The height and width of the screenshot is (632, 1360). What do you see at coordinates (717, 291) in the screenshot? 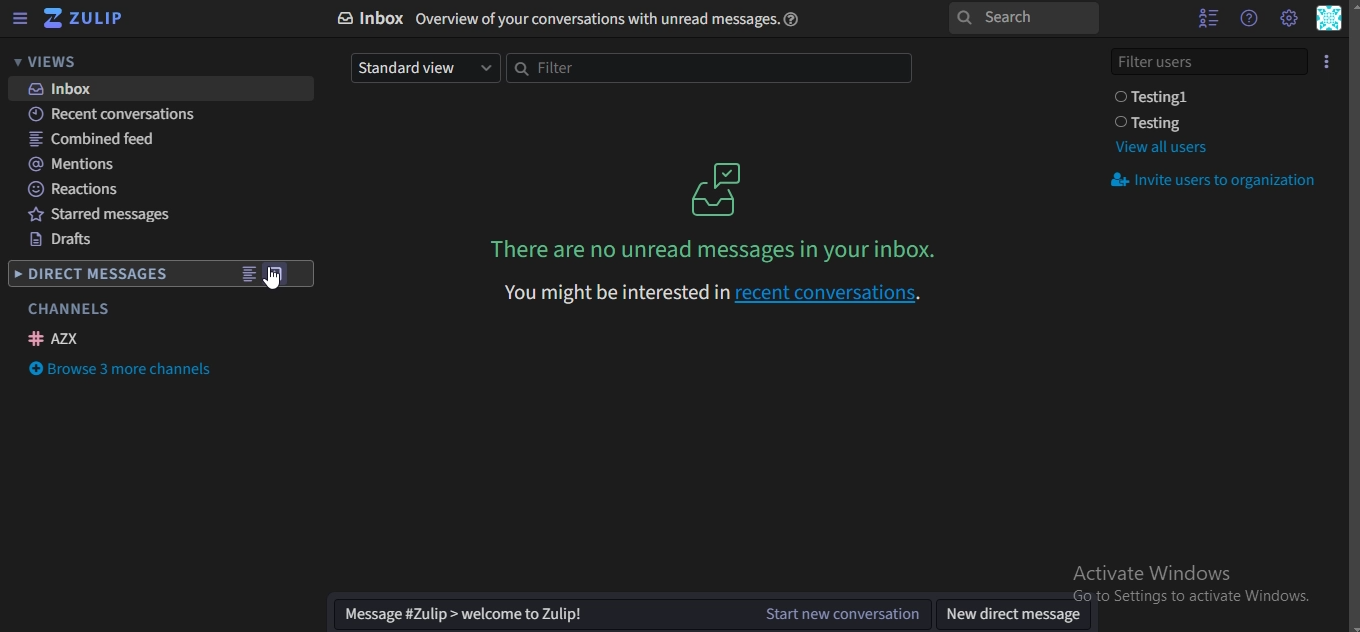
I see `recent conversations.` at bounding box center [717, 291].